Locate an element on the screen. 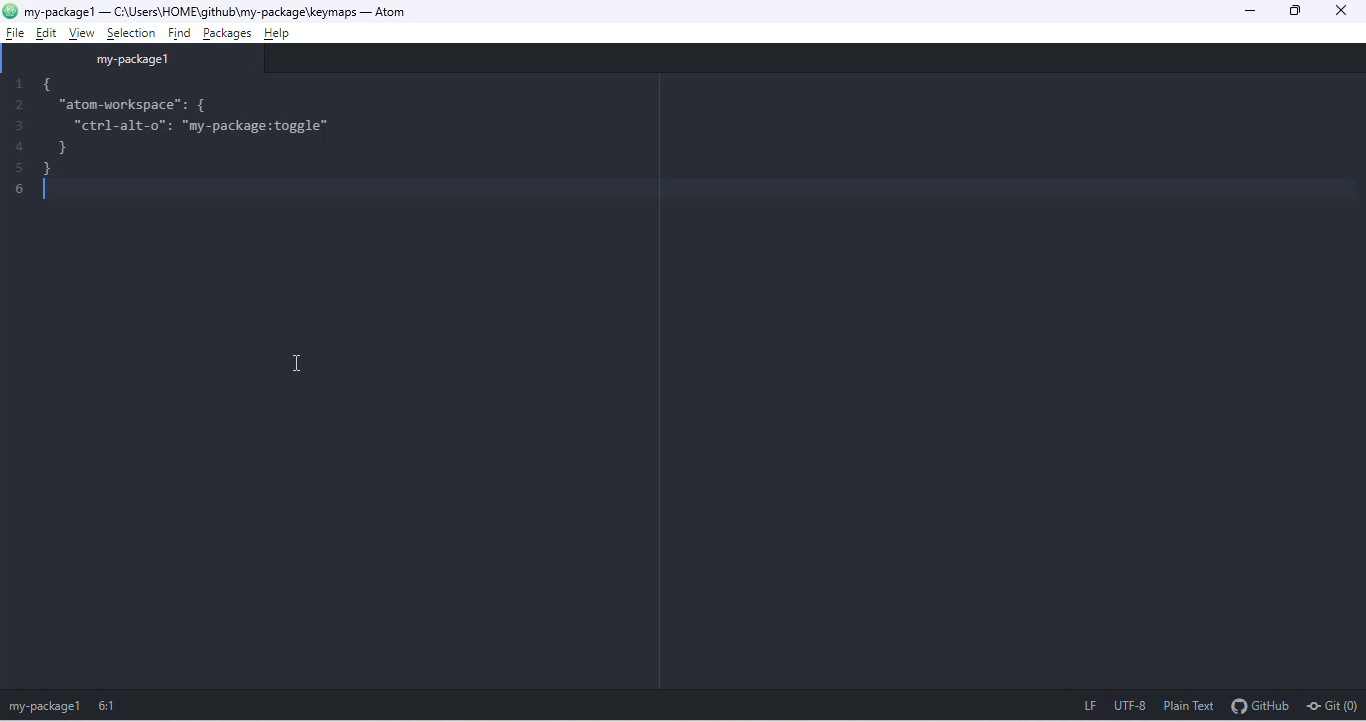 This screenshot has width=1366, height=722. atom logo is located at coordinates (11, 12).